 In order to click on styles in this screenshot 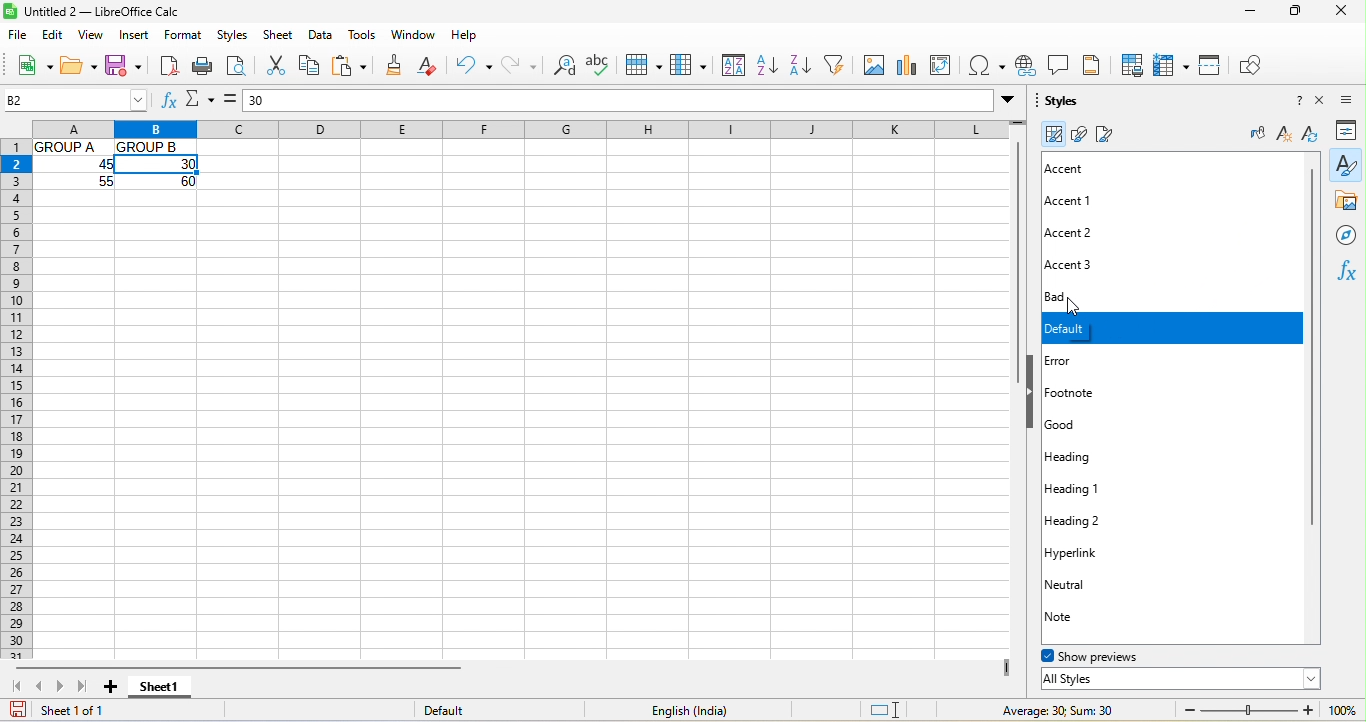, I will do `click(231, 37)`.